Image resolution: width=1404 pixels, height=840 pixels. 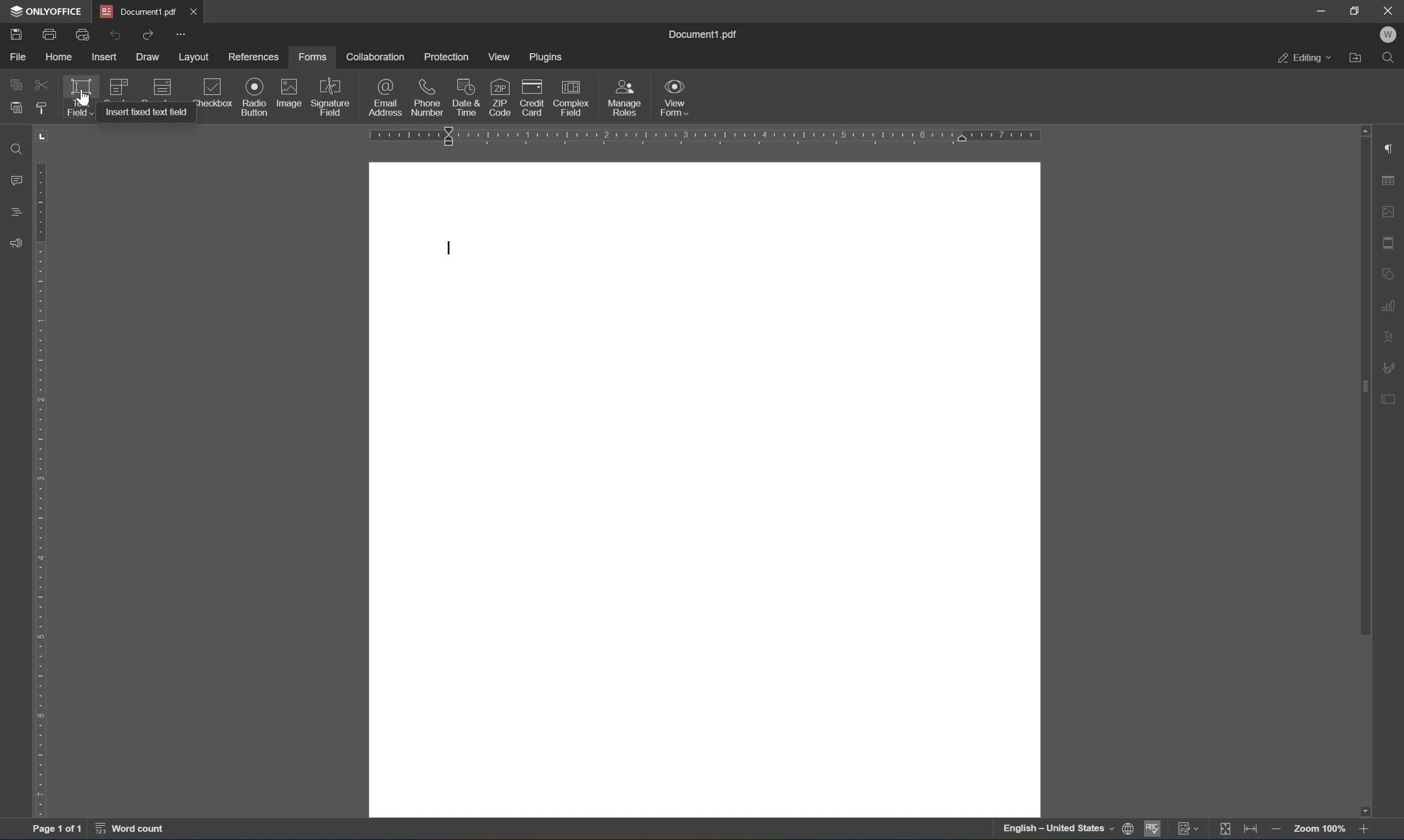 I want to click on chart settings, so click(x=1391, y=306).